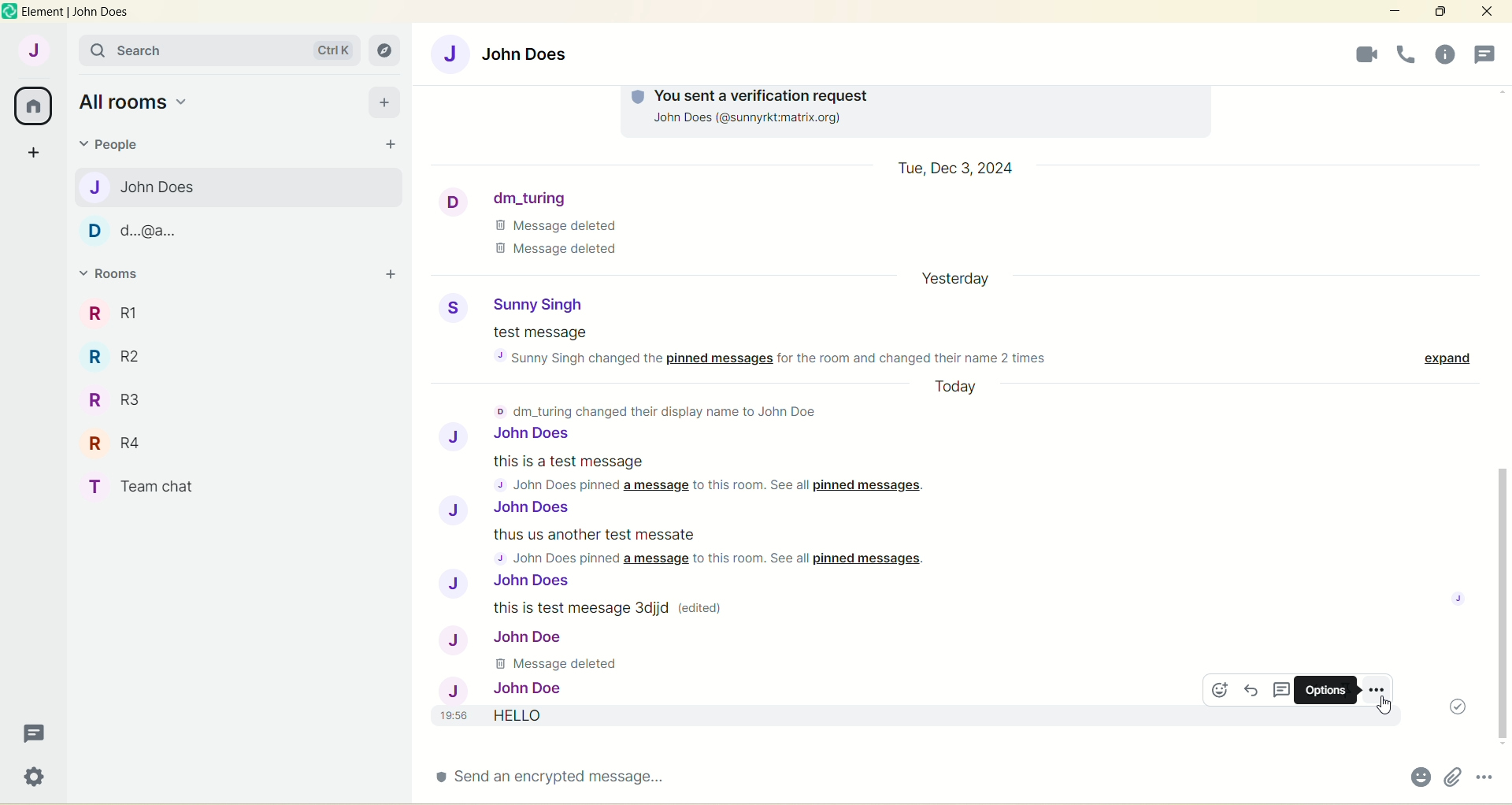  Describe the element at coordinates (618, 607) in the screenshot. I see `this is test message 3djjd` at that location.